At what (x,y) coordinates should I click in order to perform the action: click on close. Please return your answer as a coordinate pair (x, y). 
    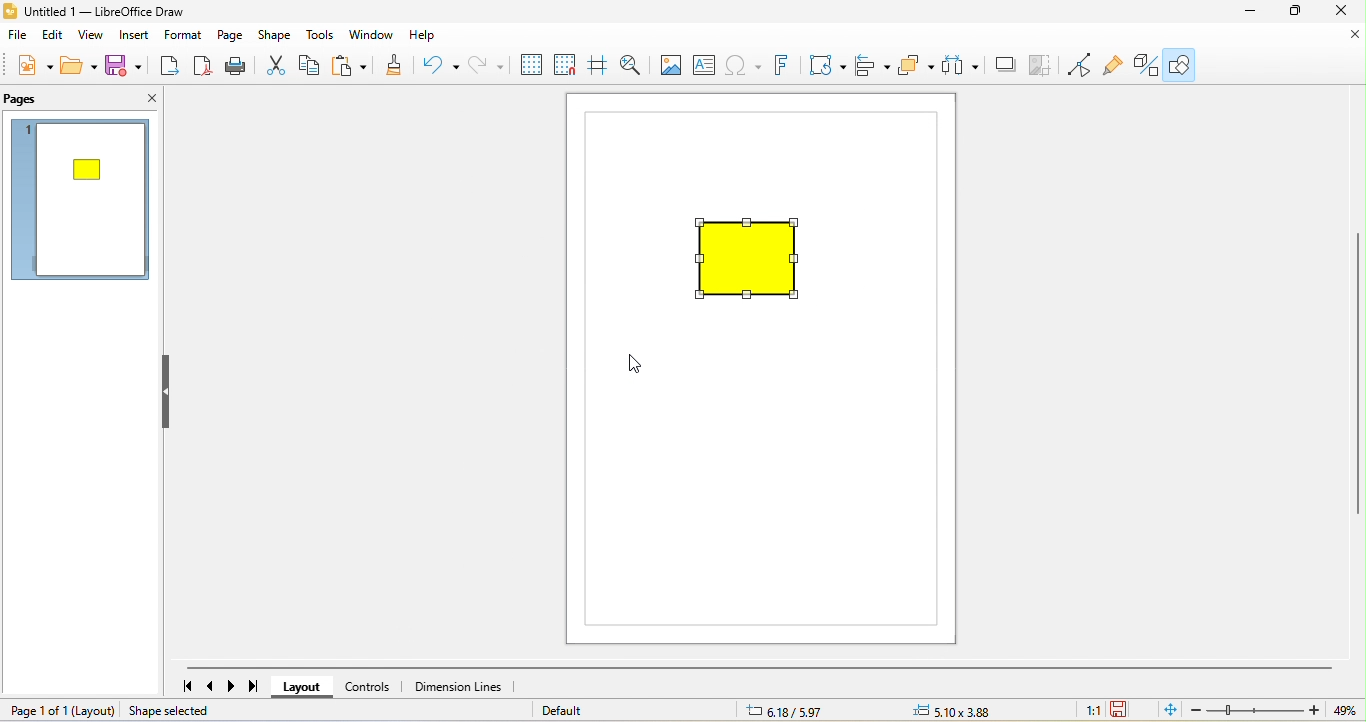
    Looking at the image, I should click on (1351, 36).